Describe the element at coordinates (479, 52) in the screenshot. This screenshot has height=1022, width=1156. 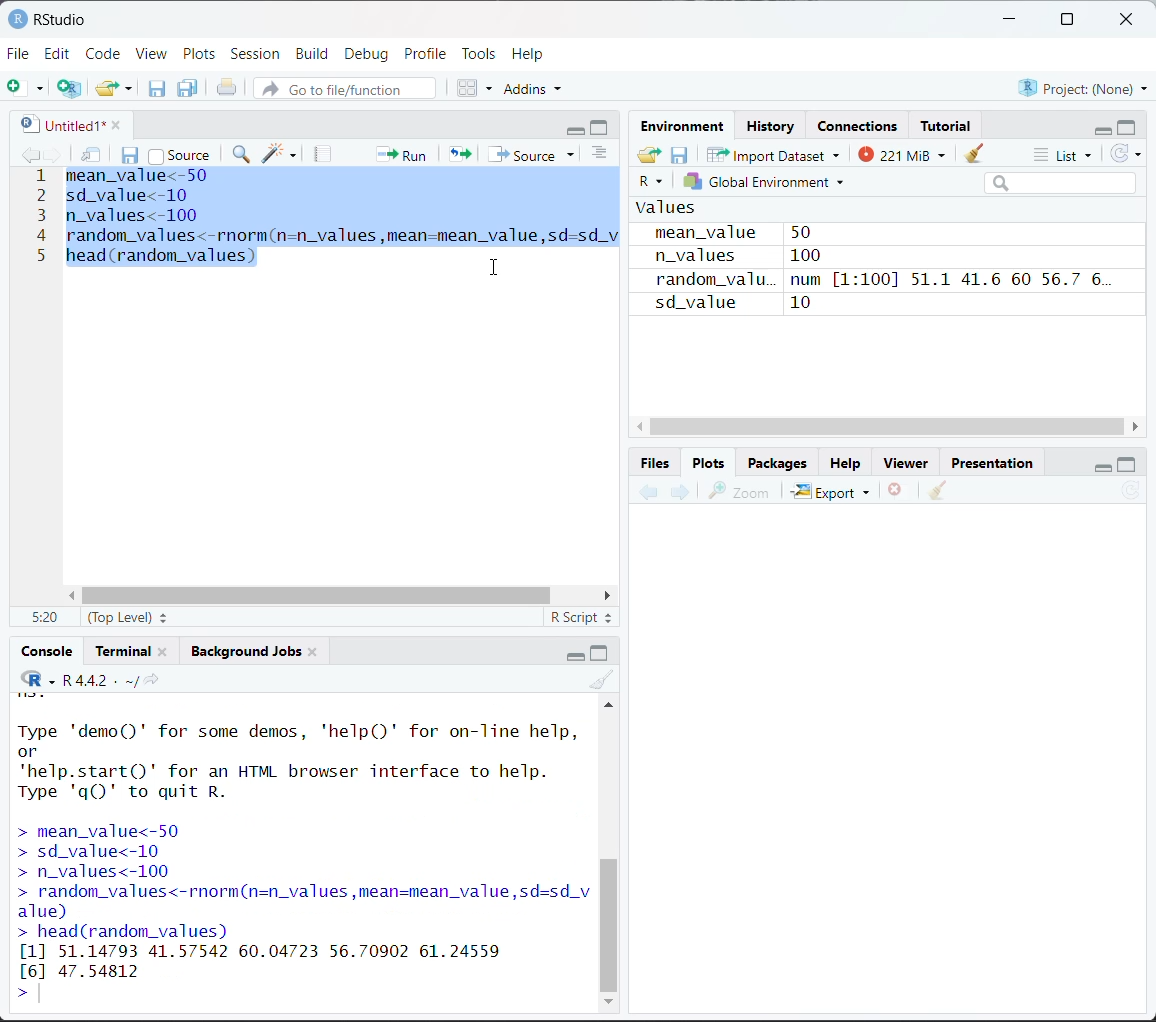
I see `Tools` at that location.